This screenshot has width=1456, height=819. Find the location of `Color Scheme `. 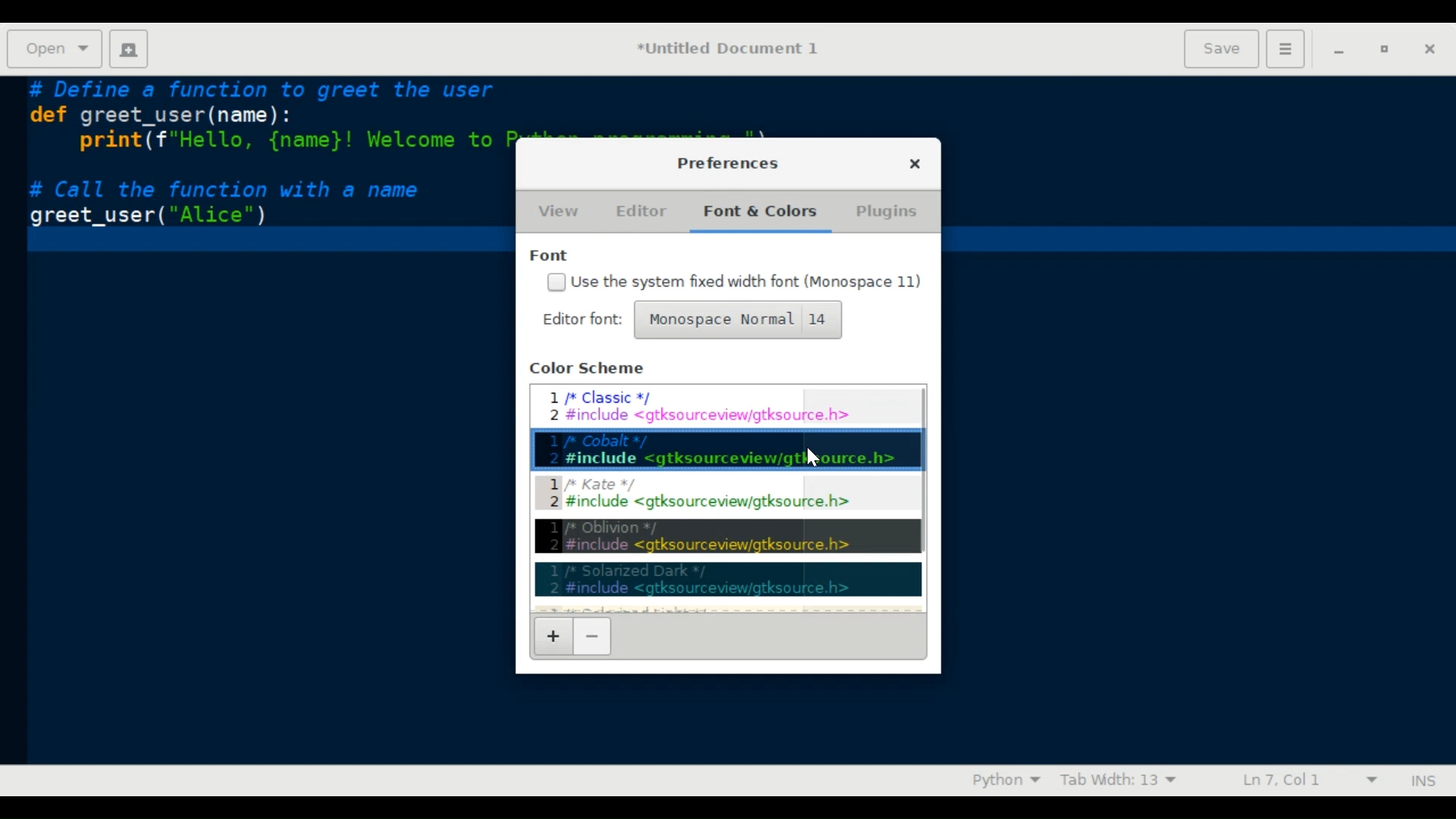

Color Scheme  is located at coordinates (591, 369).